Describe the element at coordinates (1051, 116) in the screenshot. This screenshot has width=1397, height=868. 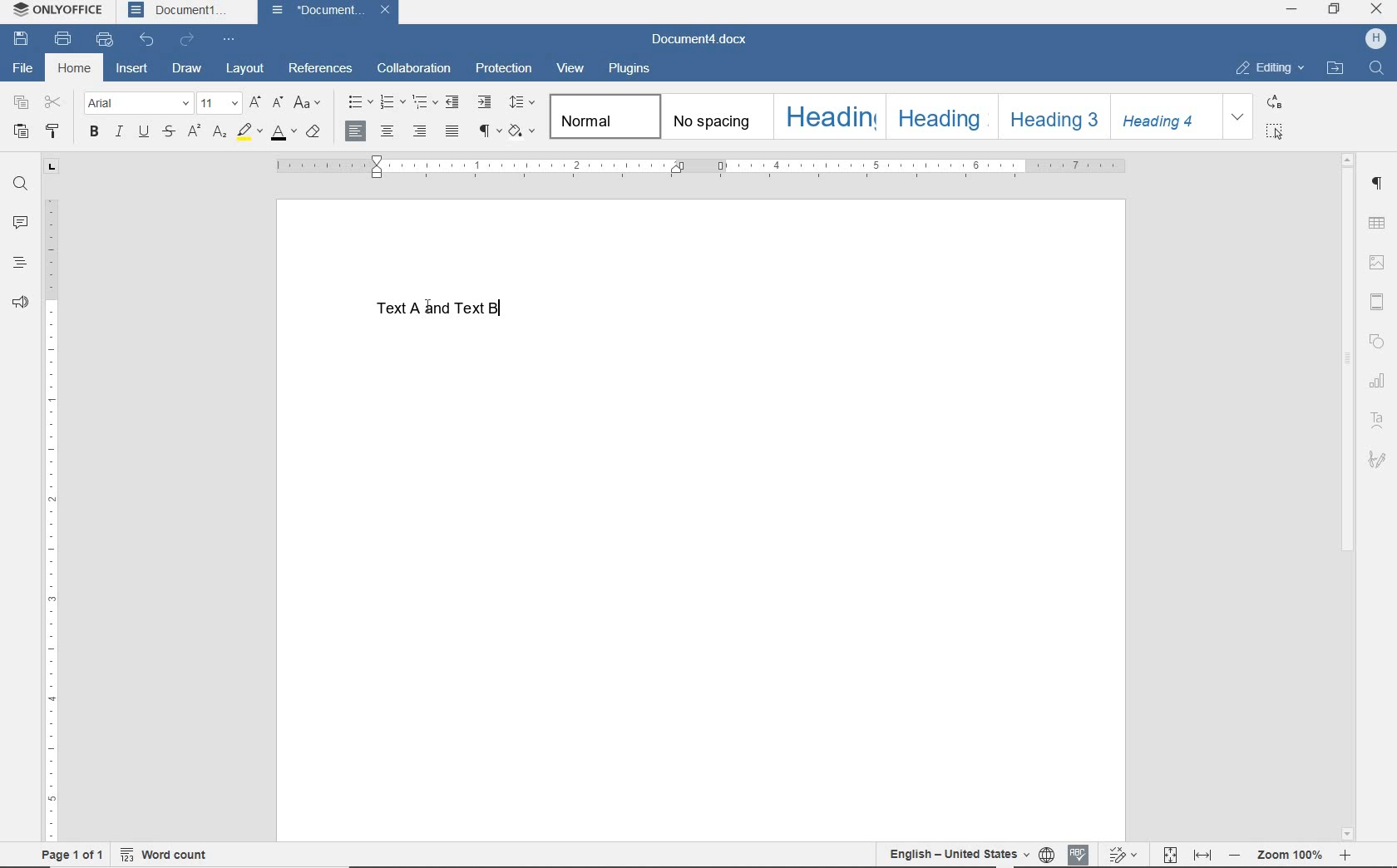
I see `HEADING 3` at that location.